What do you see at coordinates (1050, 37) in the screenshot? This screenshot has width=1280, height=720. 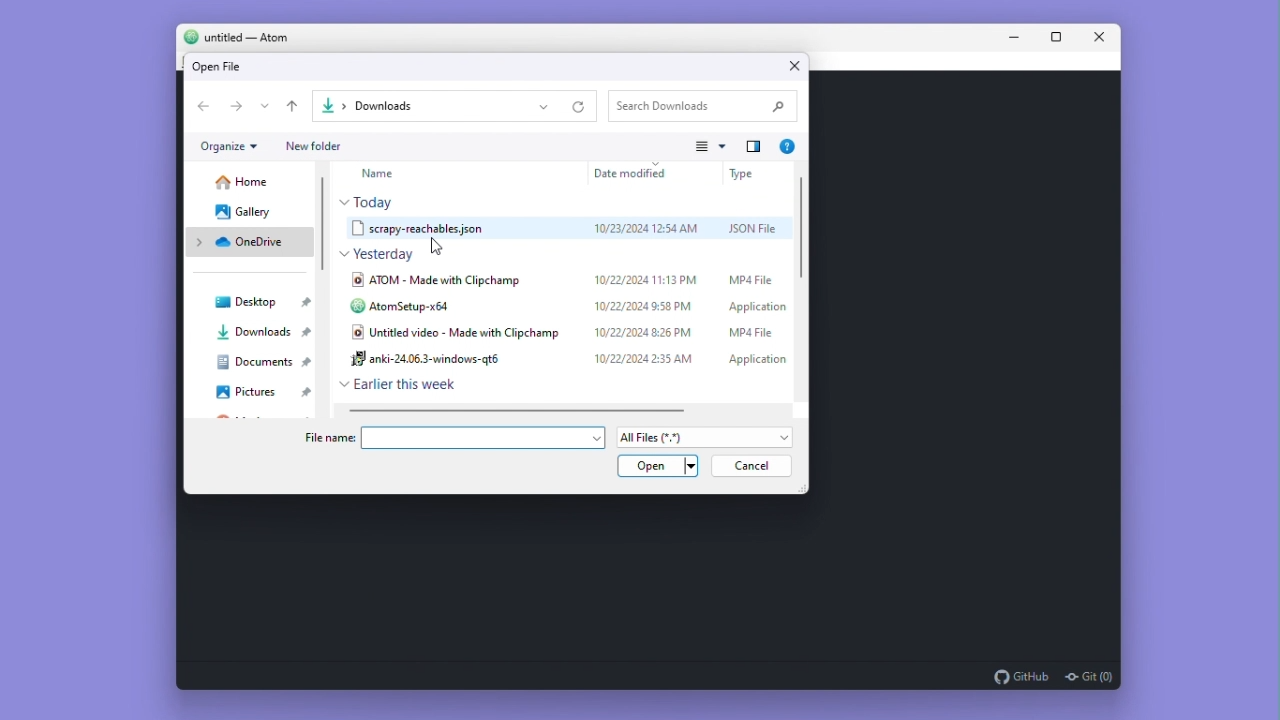 I see `Maximize` at bounding box center [1050, 37].